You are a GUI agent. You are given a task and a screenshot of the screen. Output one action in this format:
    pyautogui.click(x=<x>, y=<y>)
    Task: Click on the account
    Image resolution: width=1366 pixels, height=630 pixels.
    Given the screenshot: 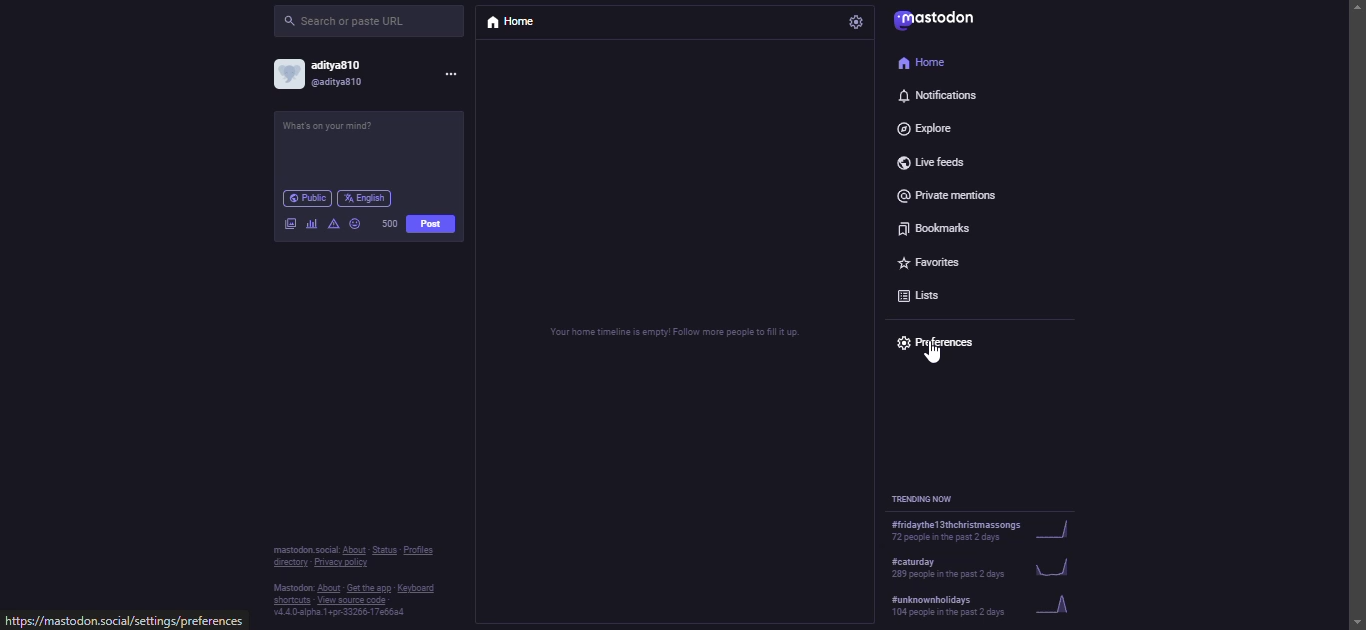 What is the action you would take?
    pyautogui.click(x=324, y=75)
    